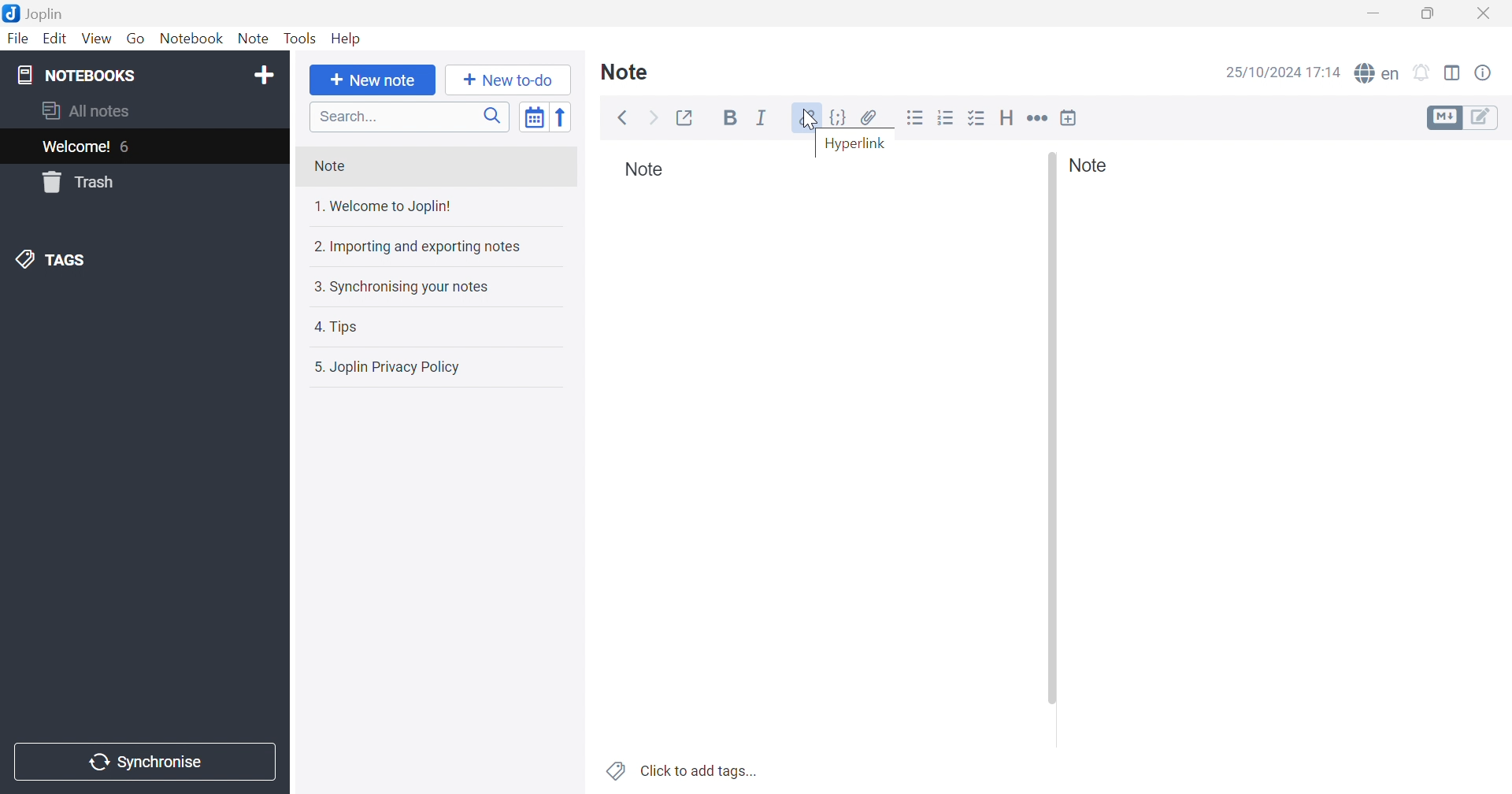 The height and width of the screenshot is (794, 1512). What do you see at coordinates (138, 39) in the screenshot?
I see `Go` at bounding box center [138, 39].